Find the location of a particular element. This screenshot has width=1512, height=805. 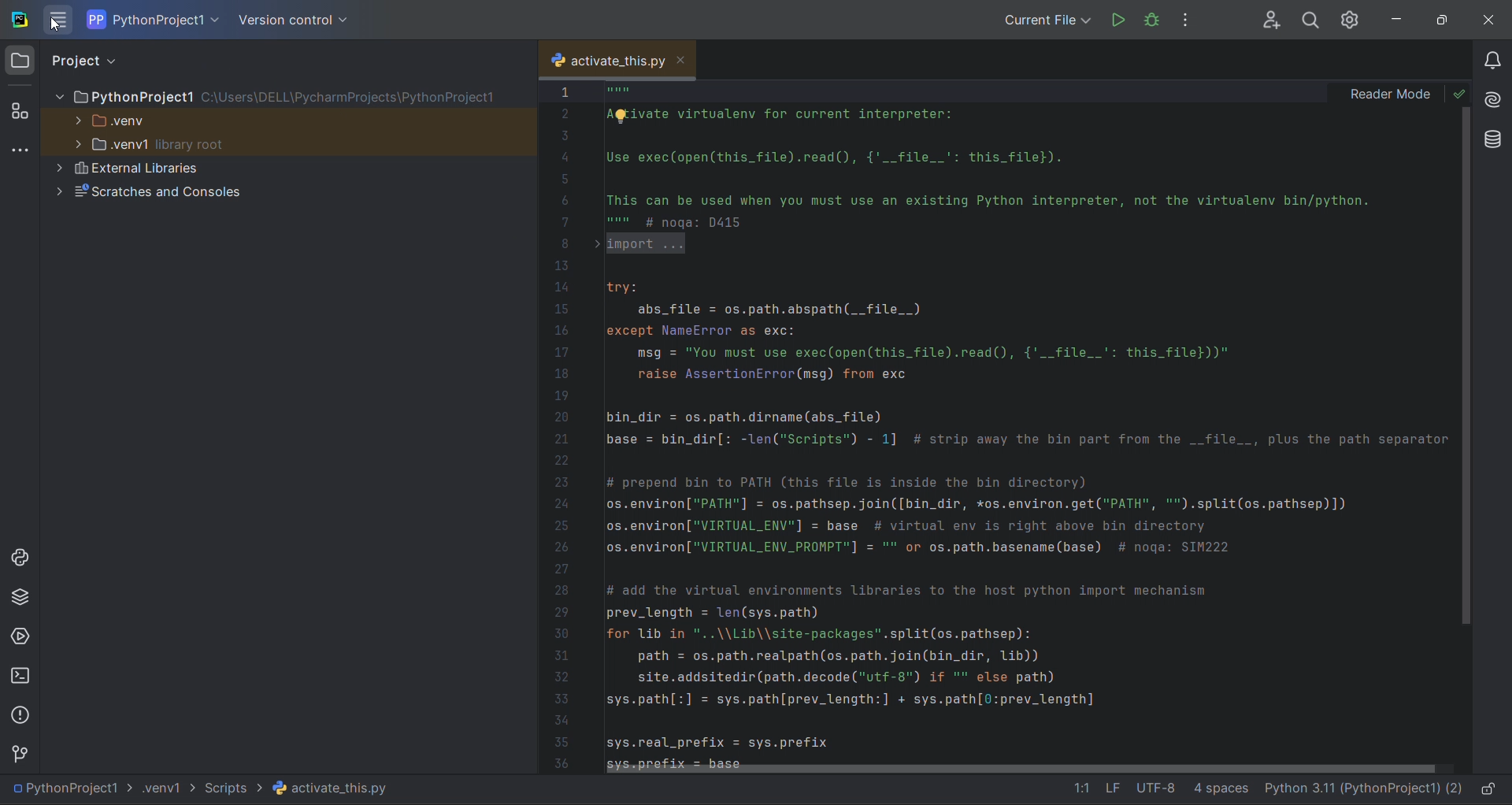

search is located at coordinates (1309, 20).